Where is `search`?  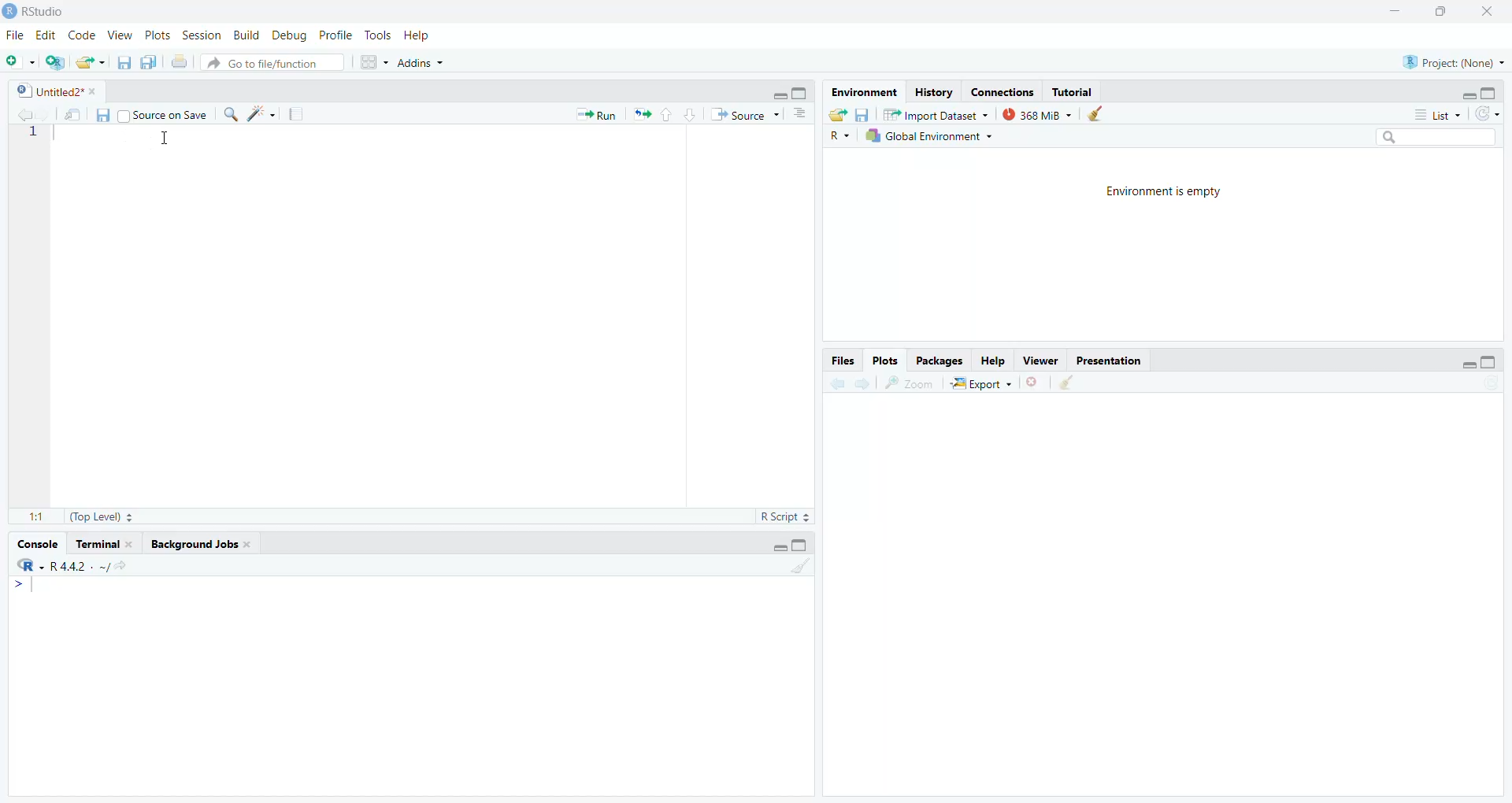 search is located at coordinates (1435, 136).